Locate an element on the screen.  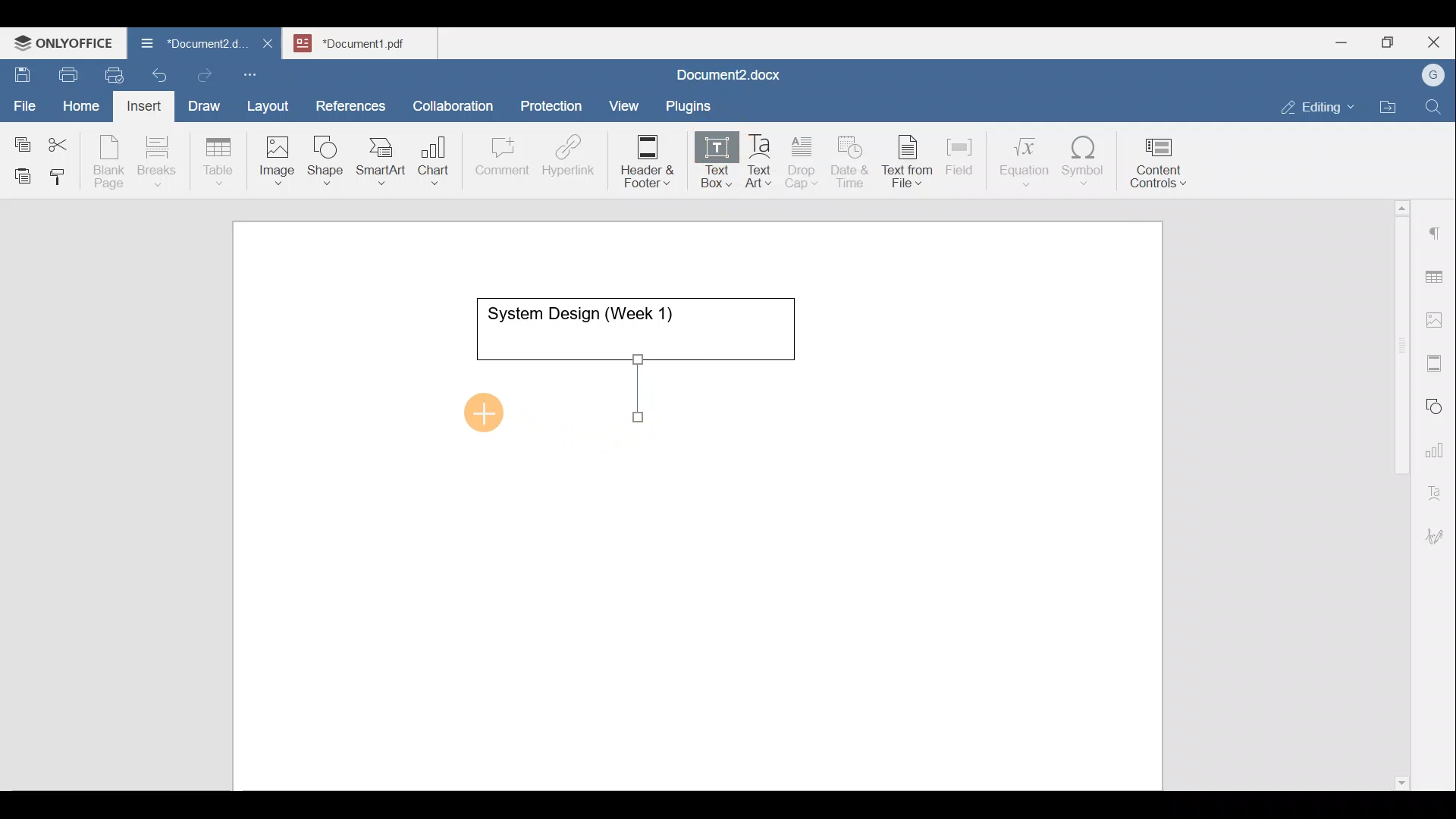
Cursor is located at coordinates (487, 406).